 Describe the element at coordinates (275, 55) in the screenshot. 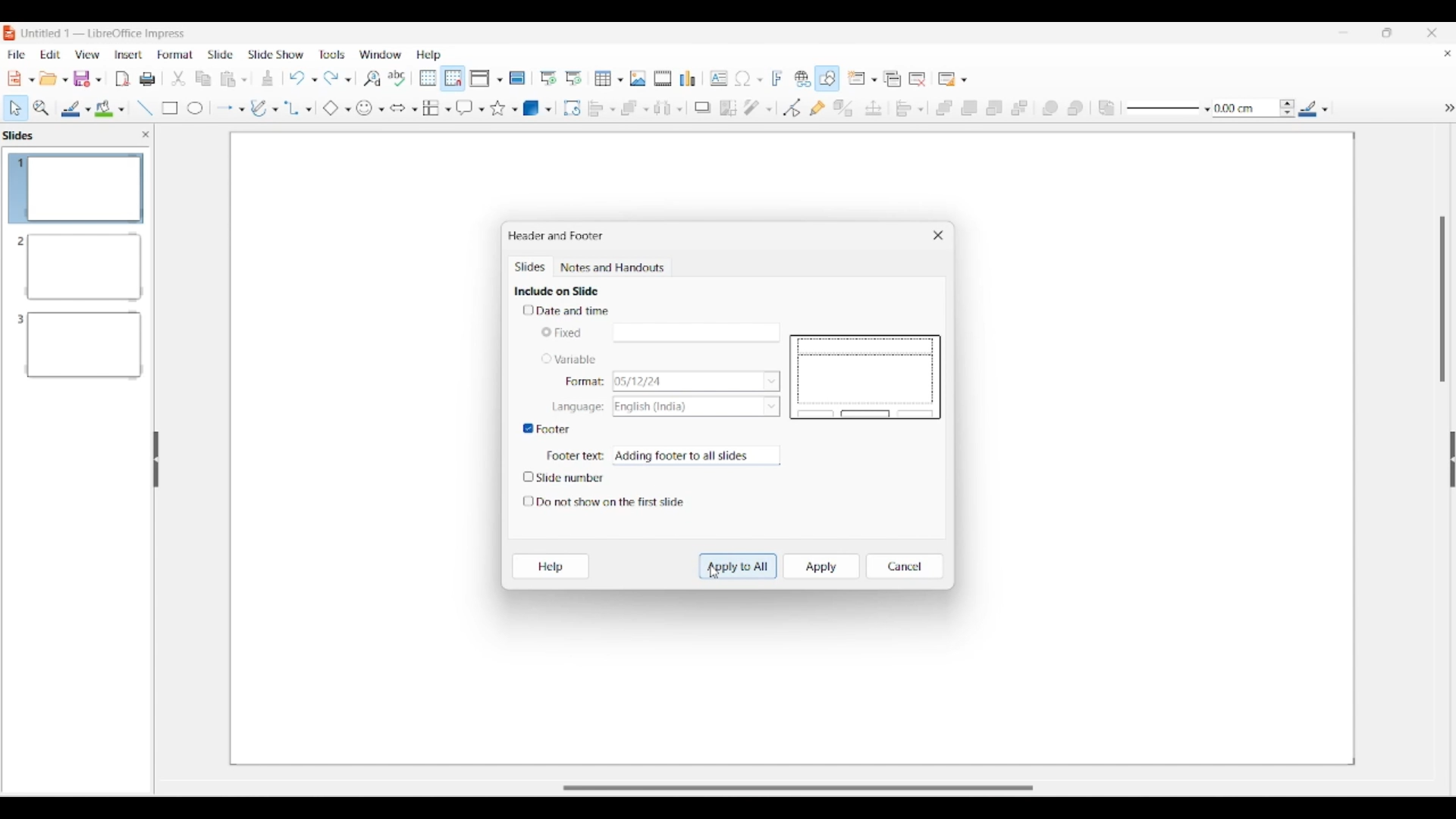

I see `Slide show menu` at that location.